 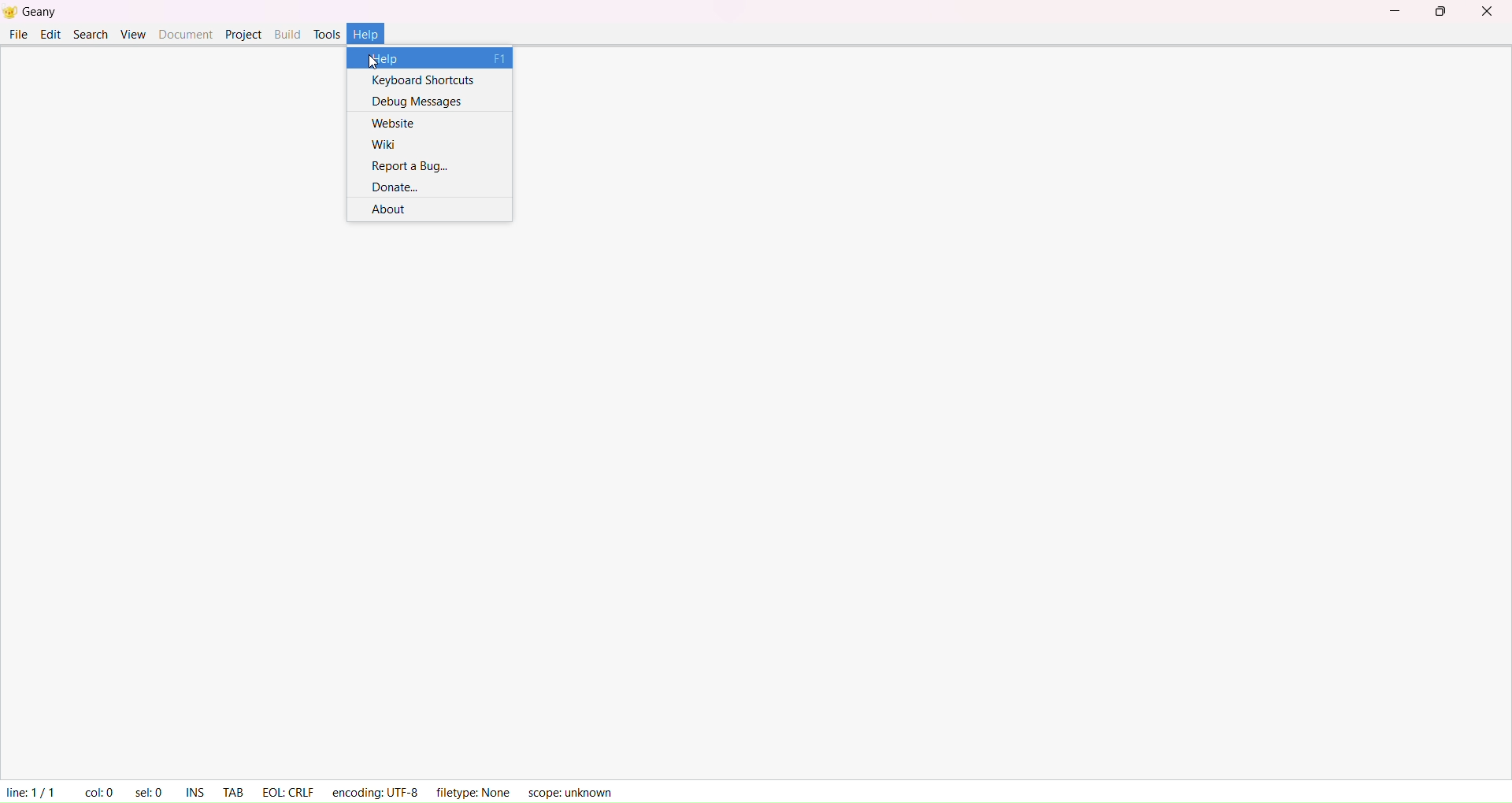 What do you see at coordinates (178, 140) in the screenshot?
I see `coding area` at bounding box center [178, 140].